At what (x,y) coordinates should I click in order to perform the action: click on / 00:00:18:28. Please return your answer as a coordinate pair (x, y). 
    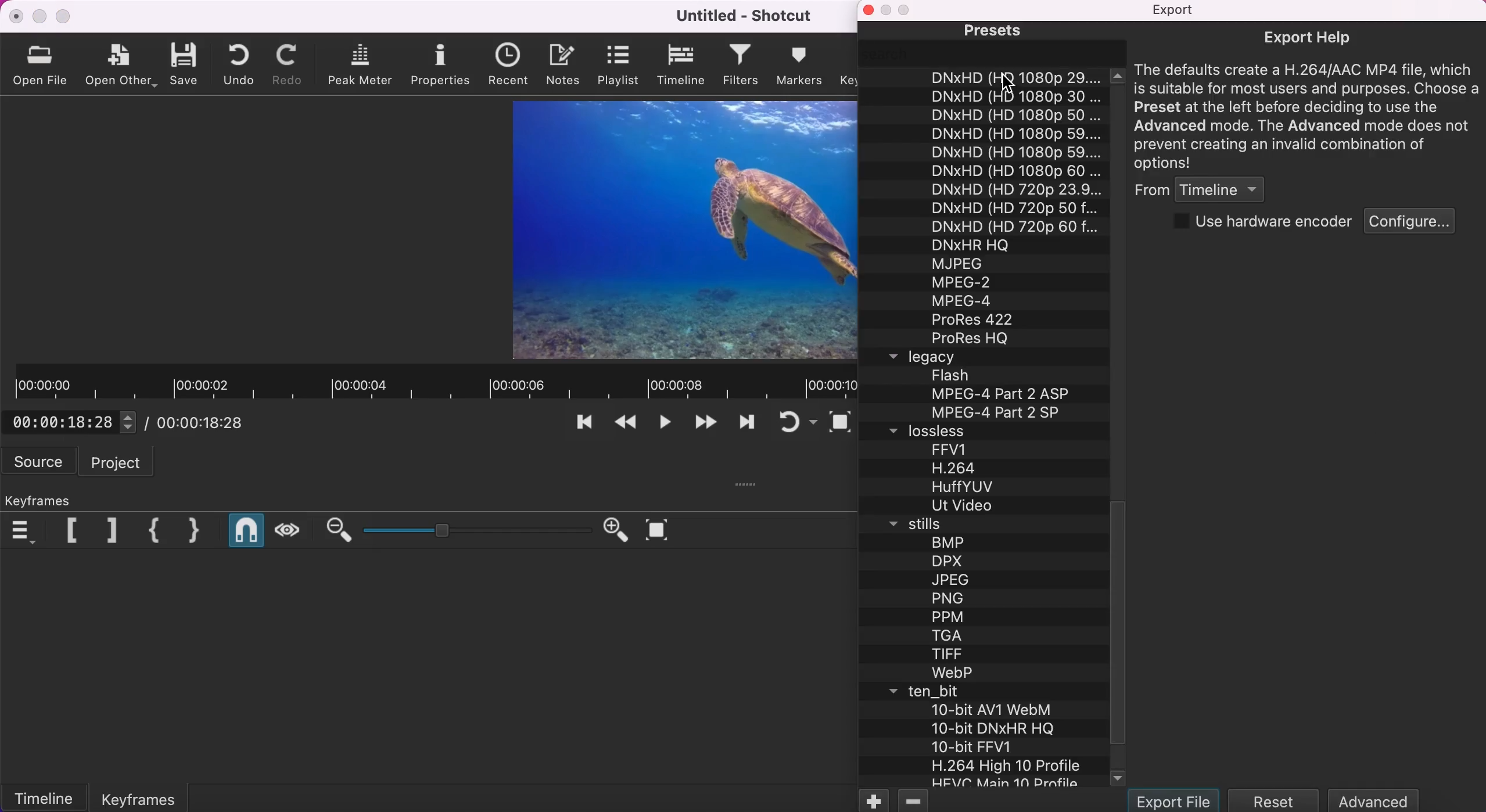
    Looking at the image, I should click on (199, 422).